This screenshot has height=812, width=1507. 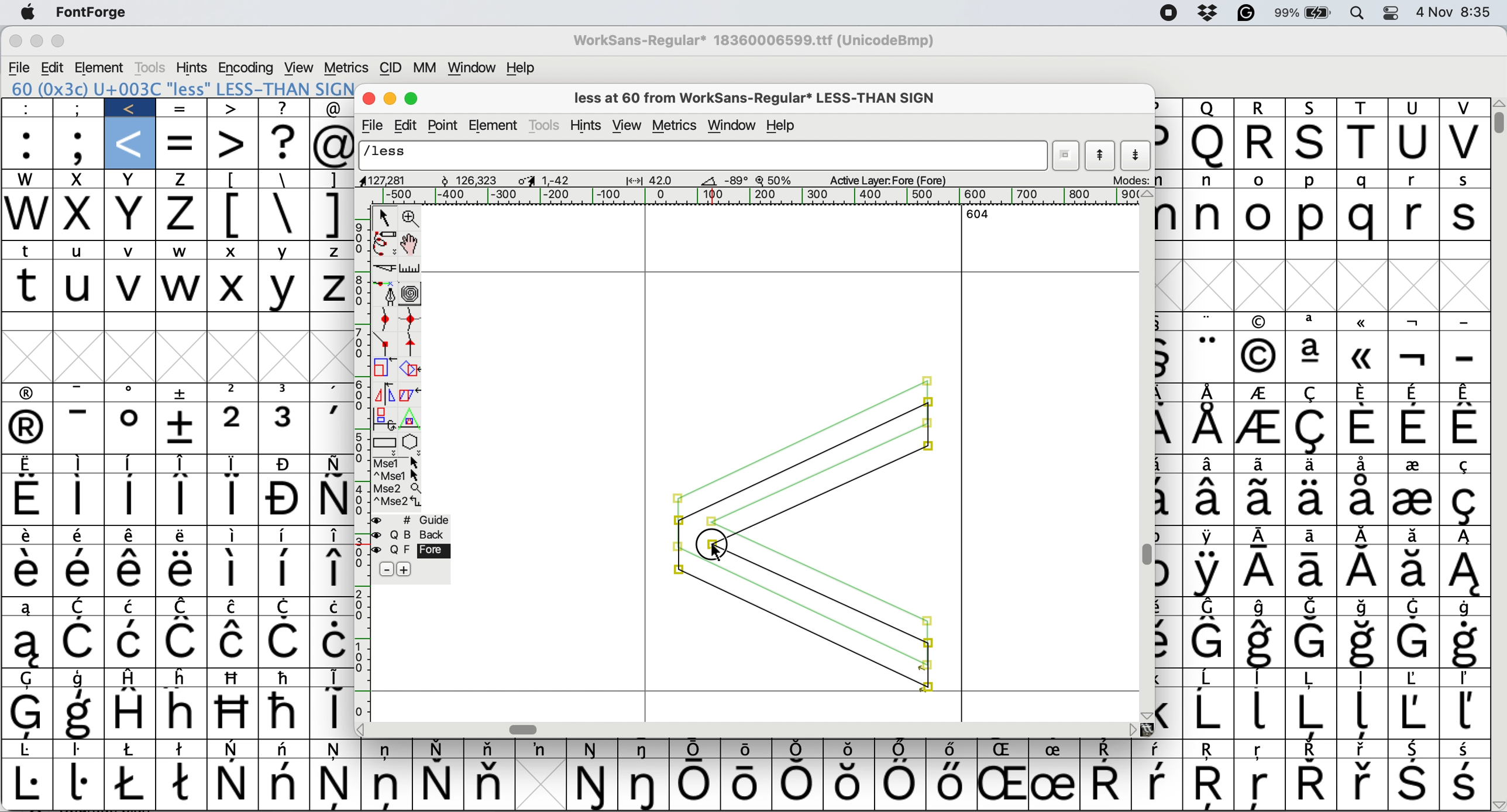 I want to click on Symbol, so click(x=1361, y=465).